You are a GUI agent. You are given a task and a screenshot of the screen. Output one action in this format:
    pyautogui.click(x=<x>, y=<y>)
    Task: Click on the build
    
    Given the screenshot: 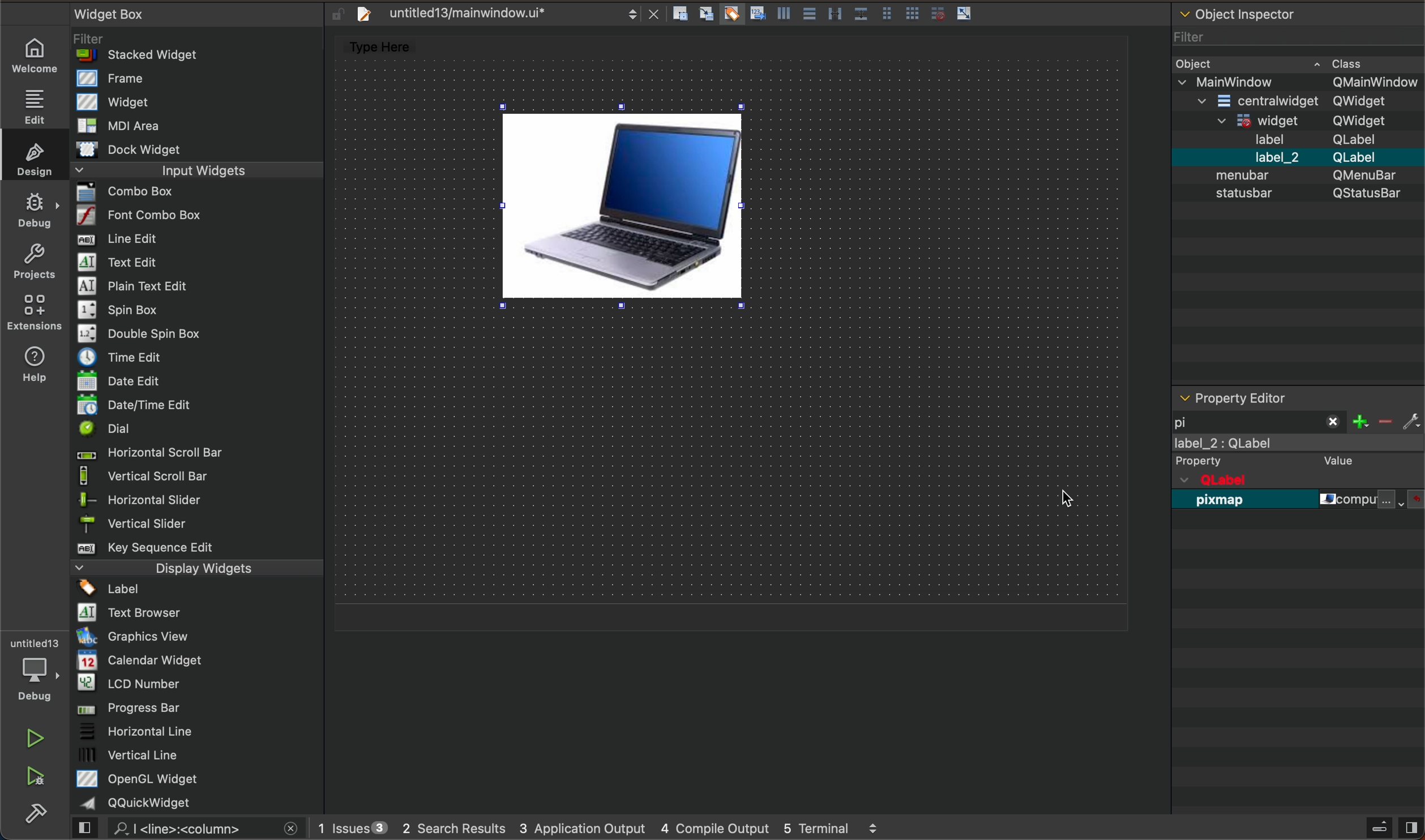 What is the action you would take?
    pyautogui.click(x=43, y=818)
    